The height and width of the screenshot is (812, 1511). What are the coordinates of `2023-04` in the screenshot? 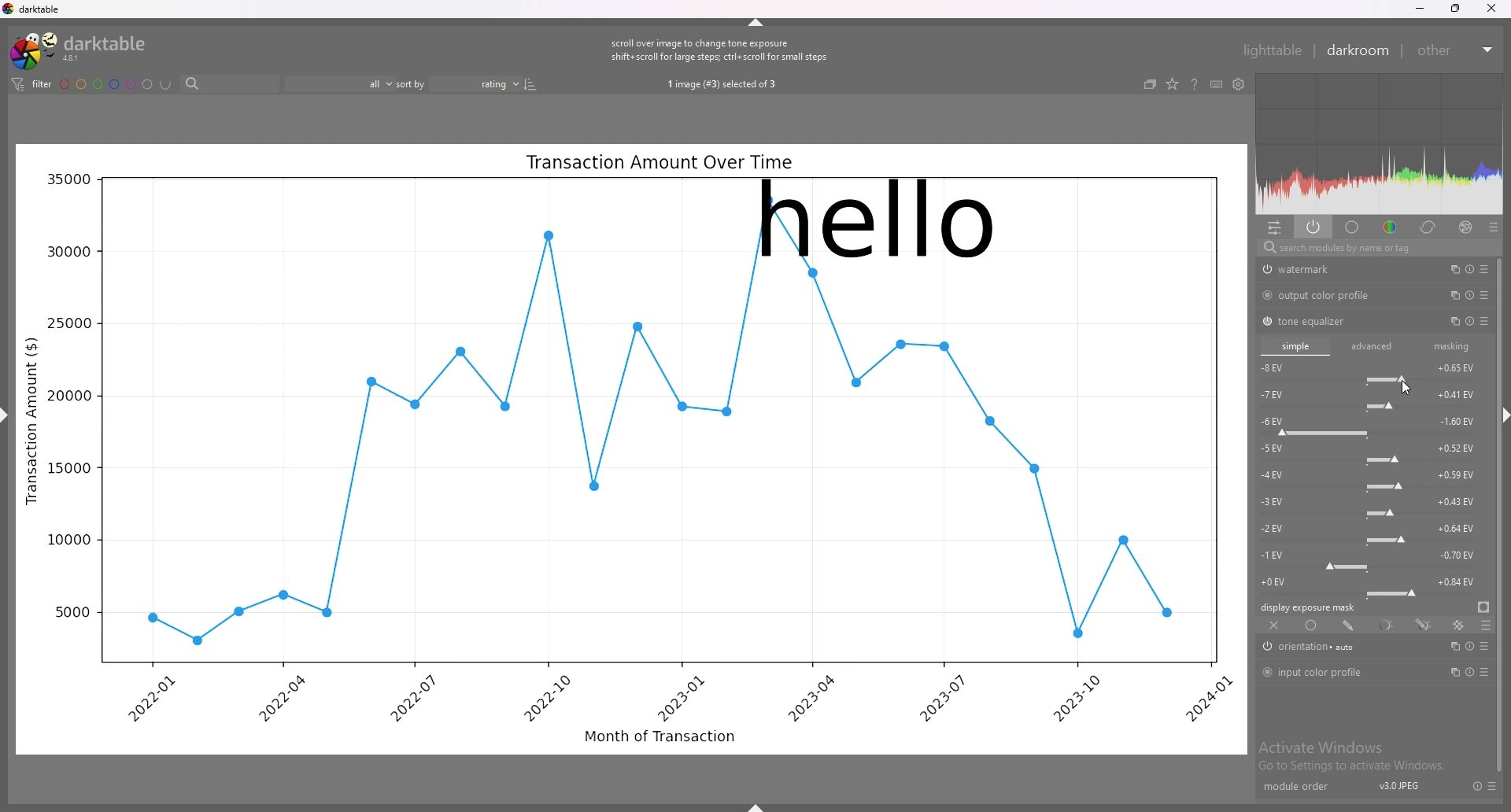 It's located at (811, 697).